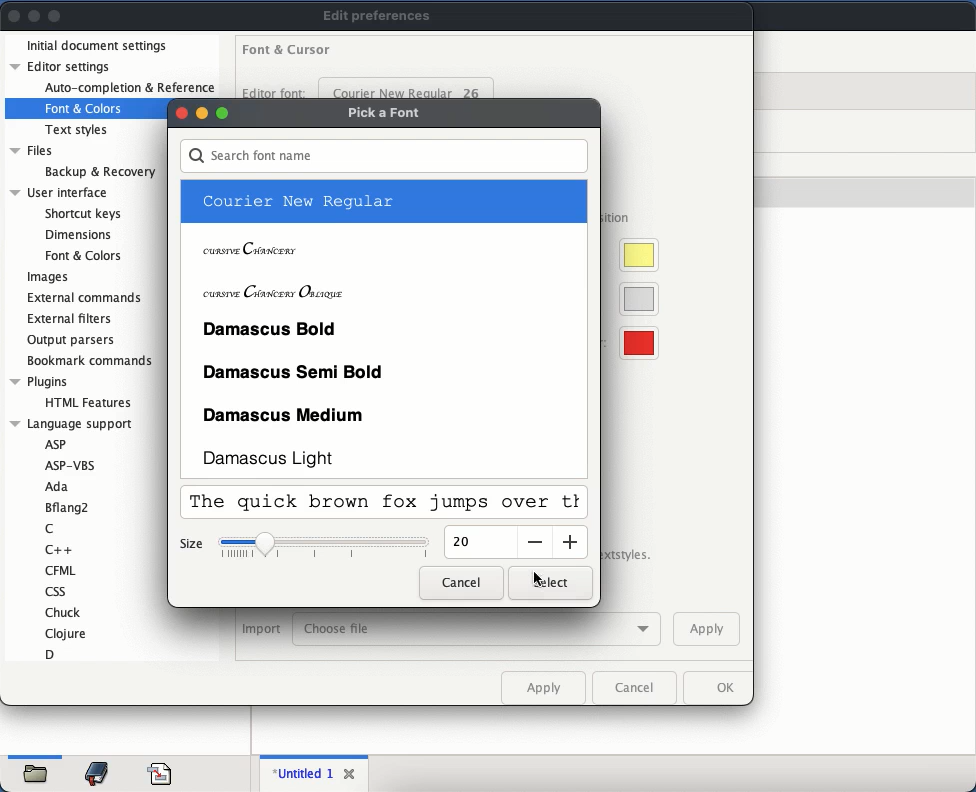  I want to click on select, so click(547, 583).